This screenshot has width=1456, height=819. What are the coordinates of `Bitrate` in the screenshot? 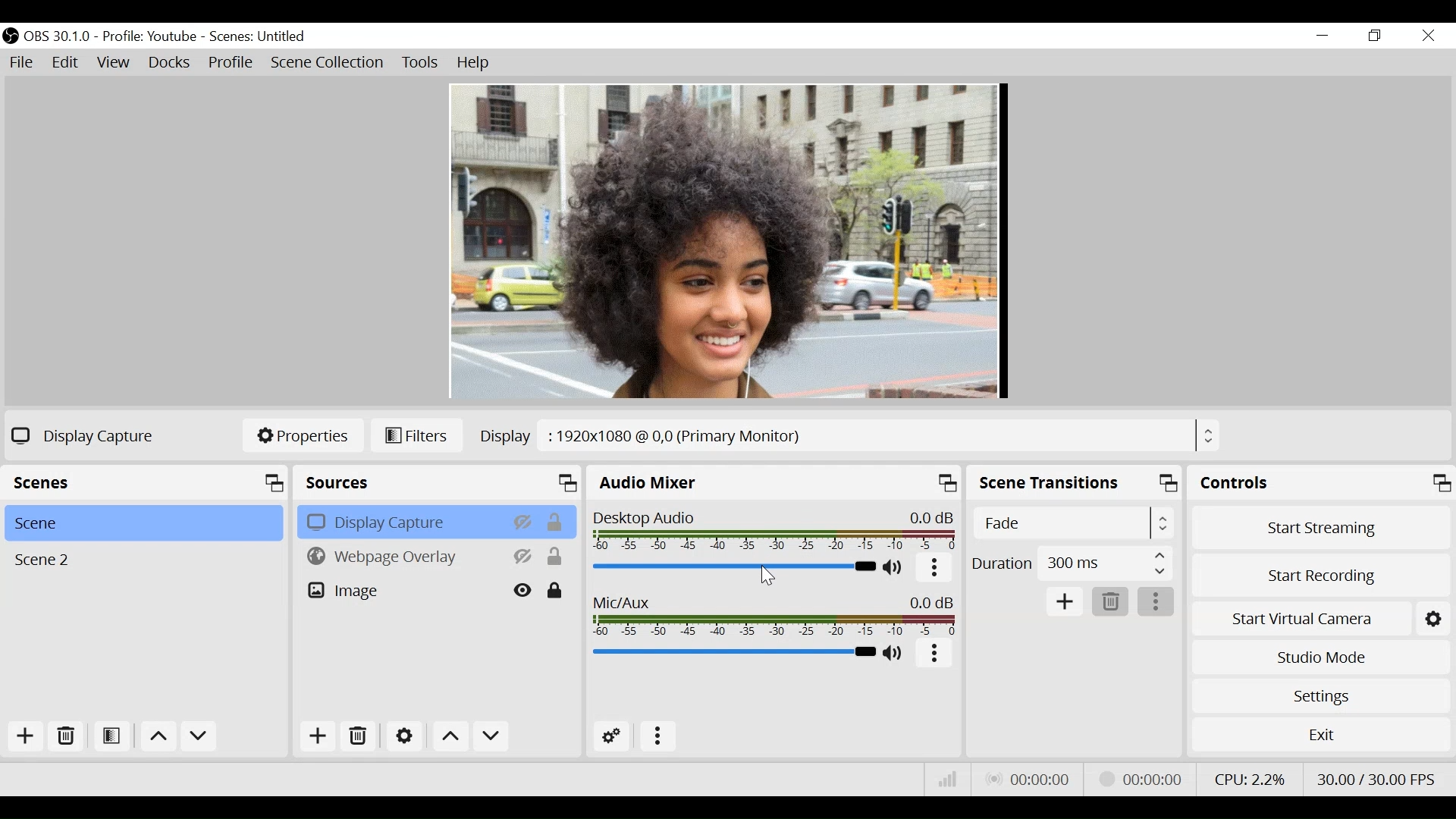 It's located at (949, 778).